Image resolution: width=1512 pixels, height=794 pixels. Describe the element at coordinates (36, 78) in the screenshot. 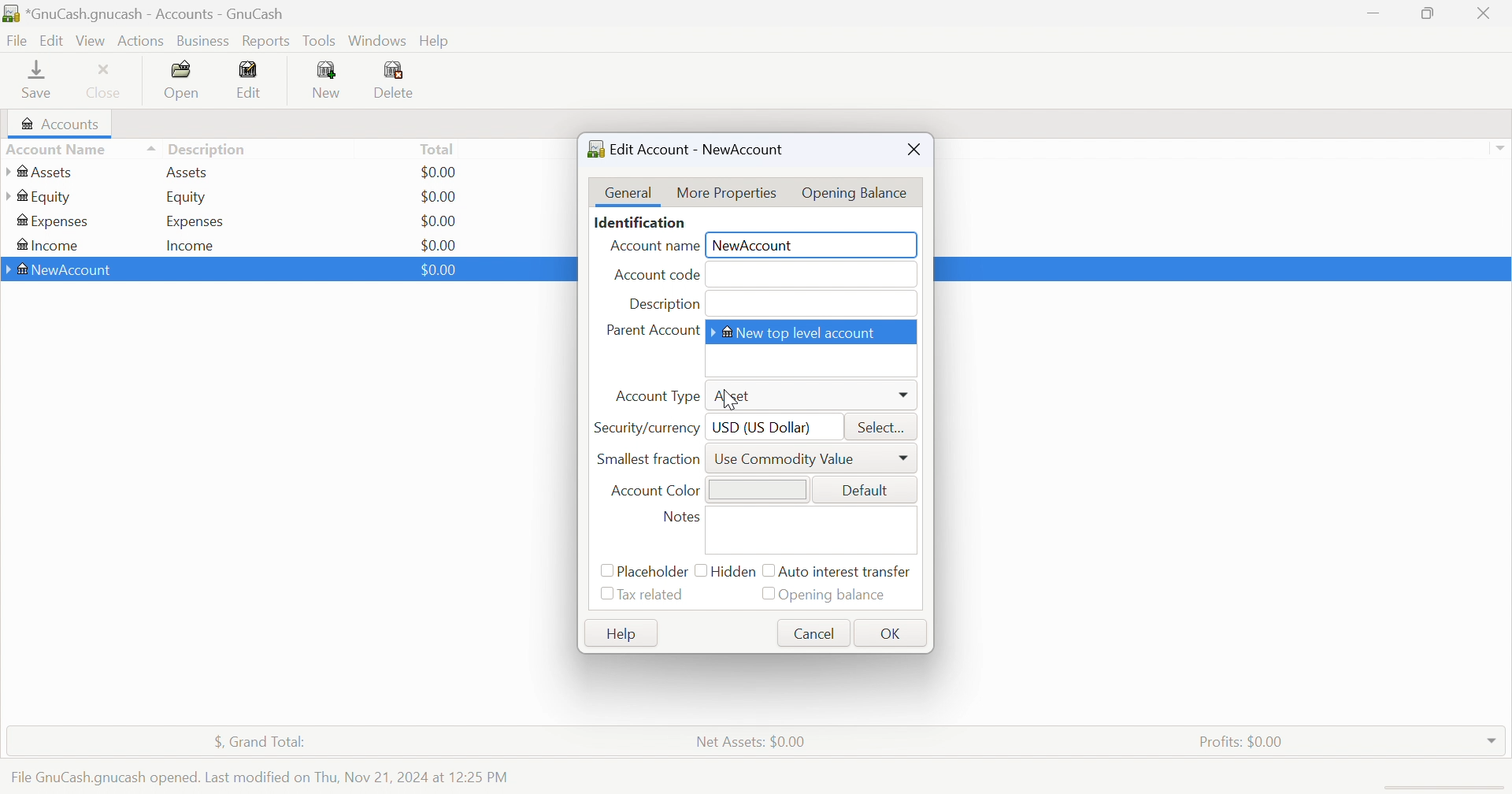

I see `Save` at that location.